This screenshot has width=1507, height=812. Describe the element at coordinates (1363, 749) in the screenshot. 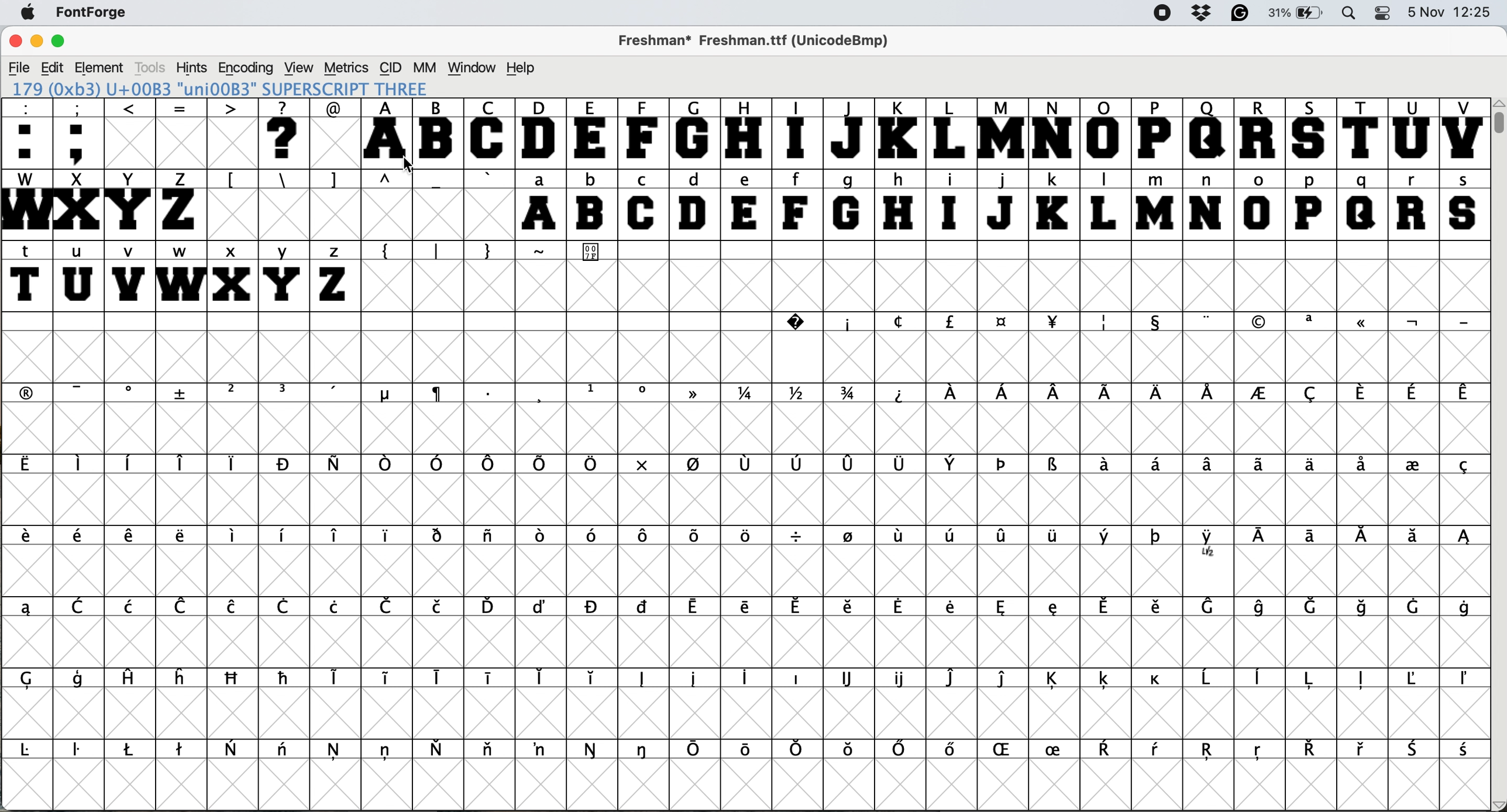

I see `symbol` at that location.